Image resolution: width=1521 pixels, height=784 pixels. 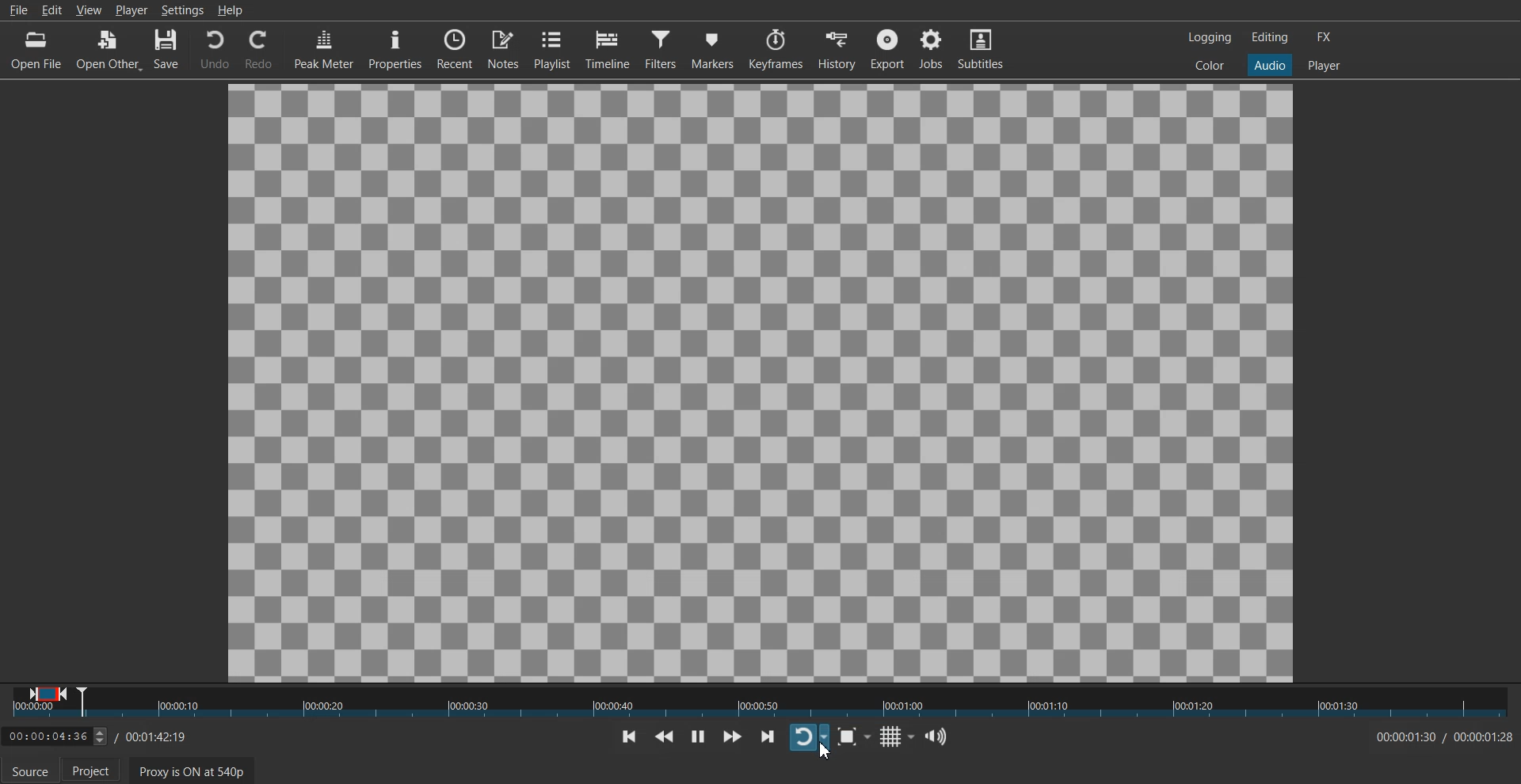 I want to click on Open Other, so click(x=109, y=49).